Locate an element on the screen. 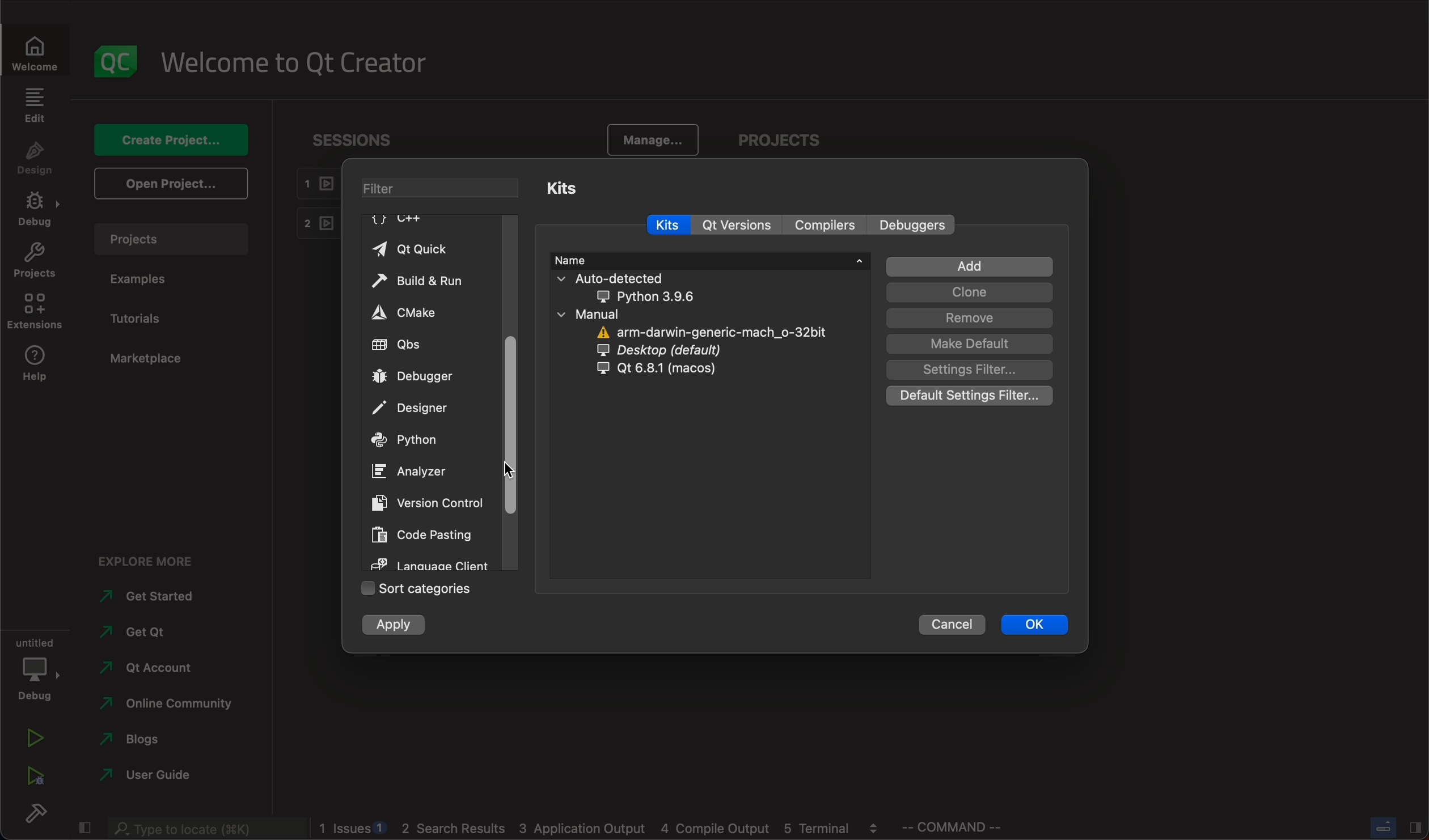 Image resolution: width=1429 pixels, height=840 pixels. cancel is located at coordinates (949, 623).